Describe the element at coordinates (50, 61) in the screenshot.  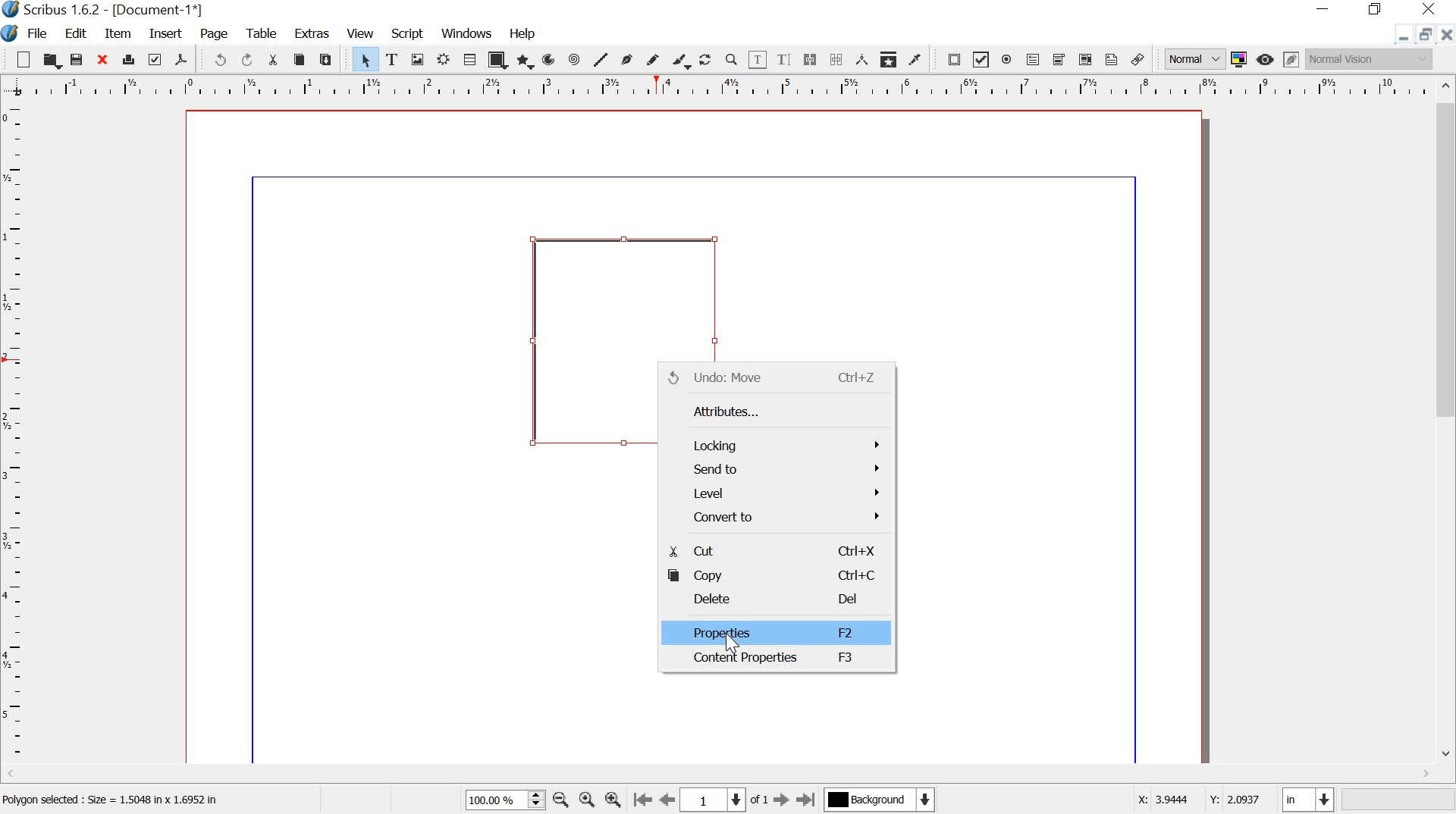
I see `open` at that location.